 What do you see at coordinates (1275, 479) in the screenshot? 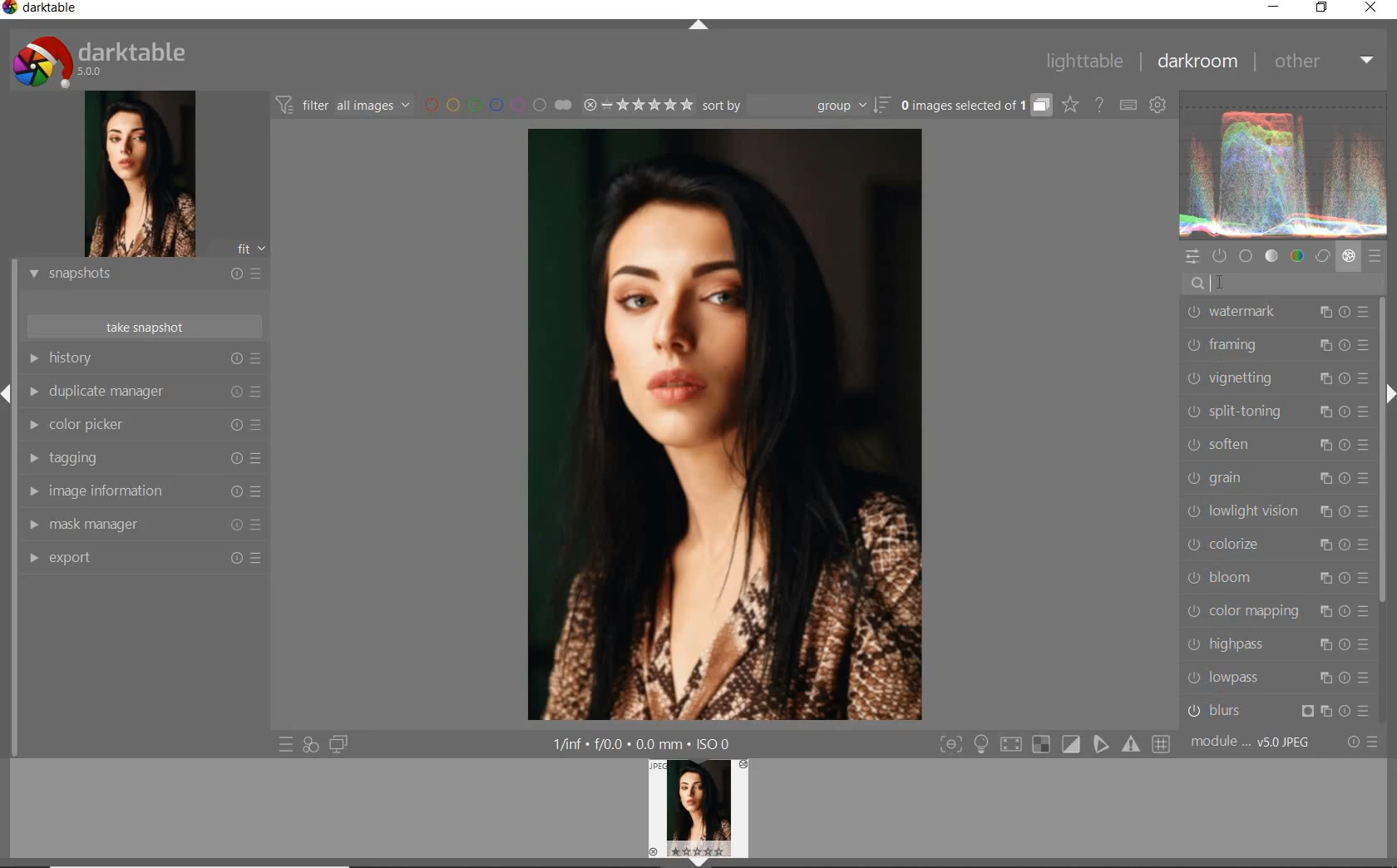
I see `grain` at bounding box center [1275, 479].